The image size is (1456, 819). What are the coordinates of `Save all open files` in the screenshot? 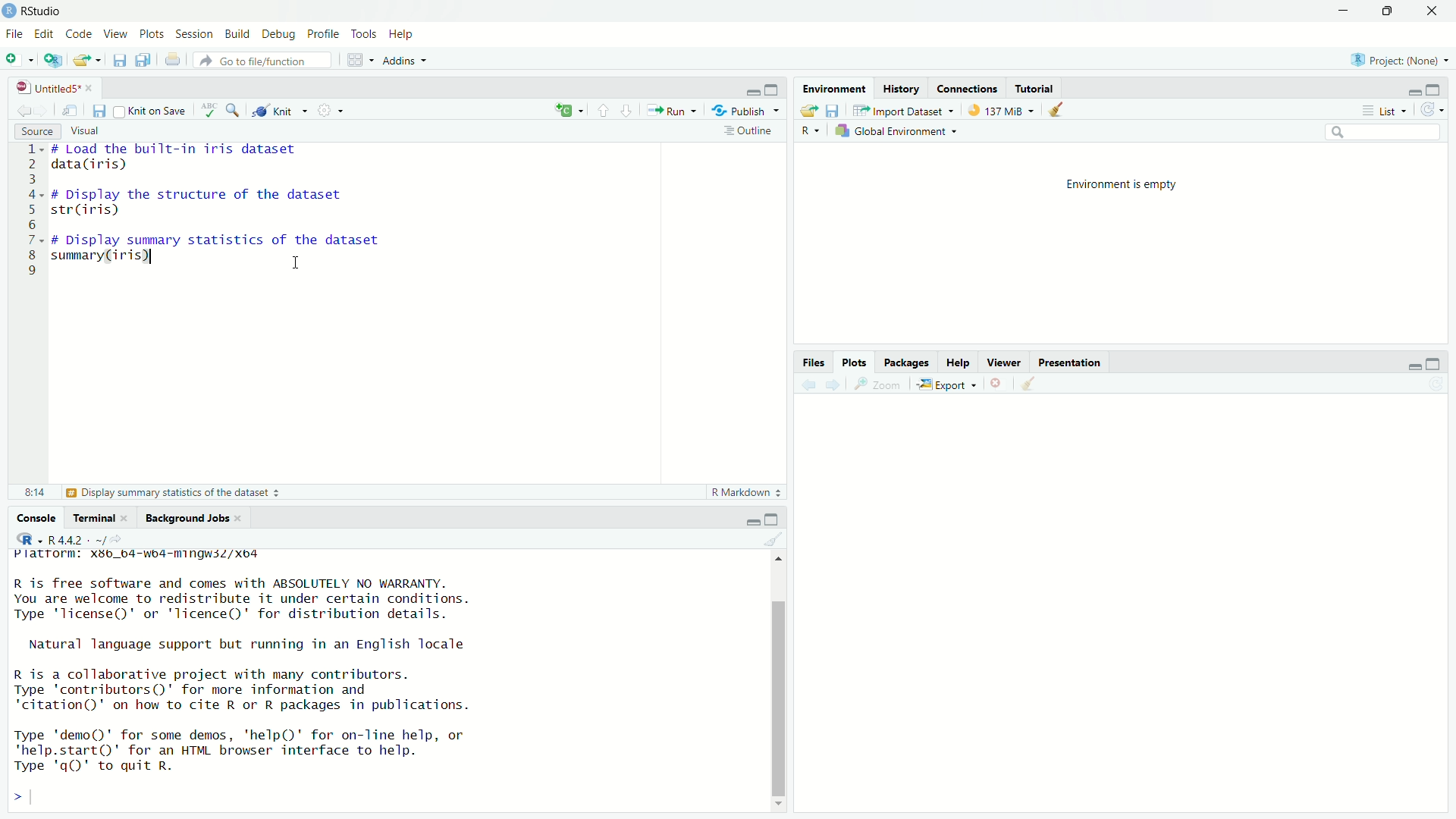 It's located at (143, 60).